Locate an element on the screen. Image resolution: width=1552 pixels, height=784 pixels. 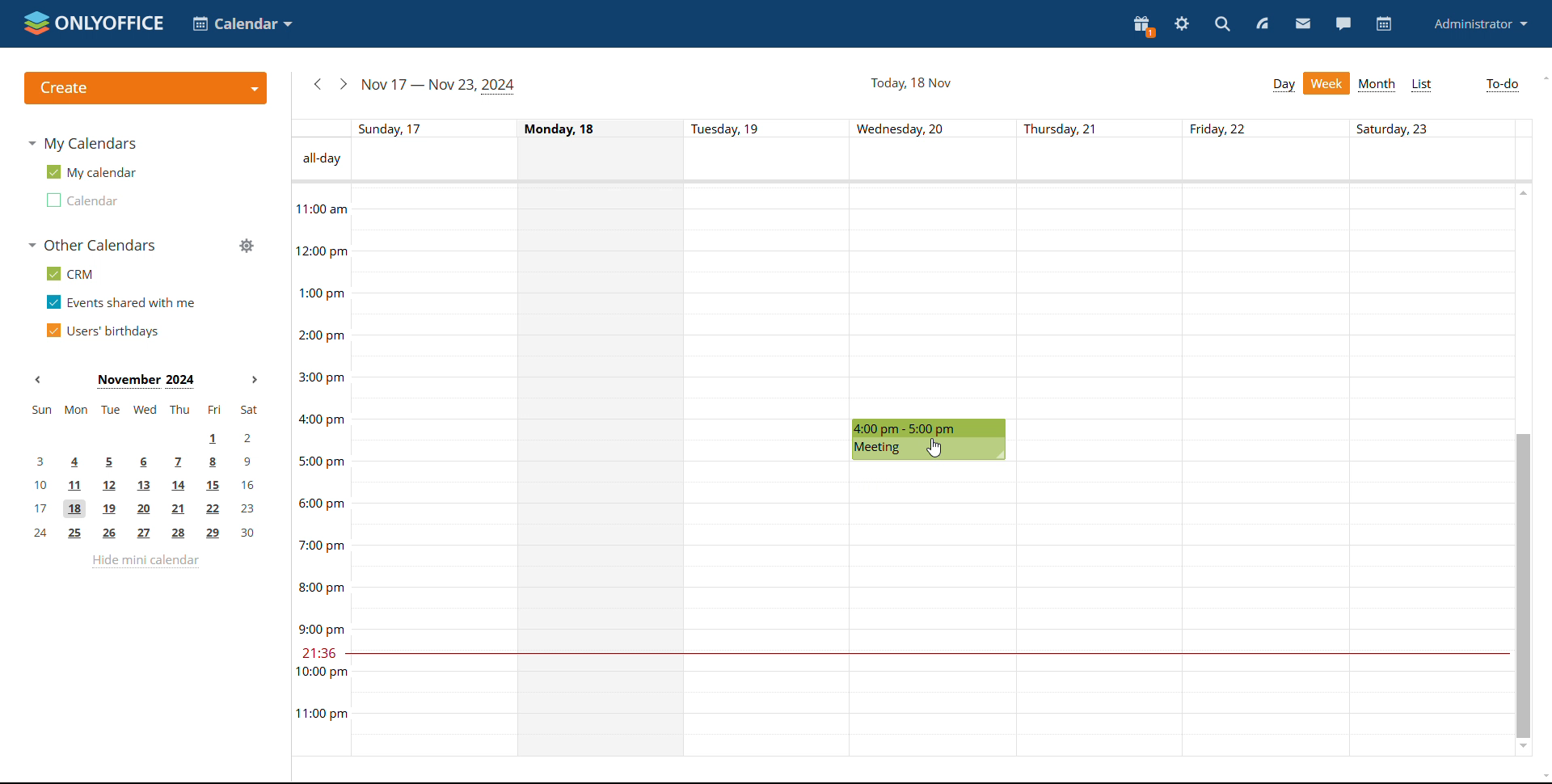
logo is located at coordinates (91, 23).